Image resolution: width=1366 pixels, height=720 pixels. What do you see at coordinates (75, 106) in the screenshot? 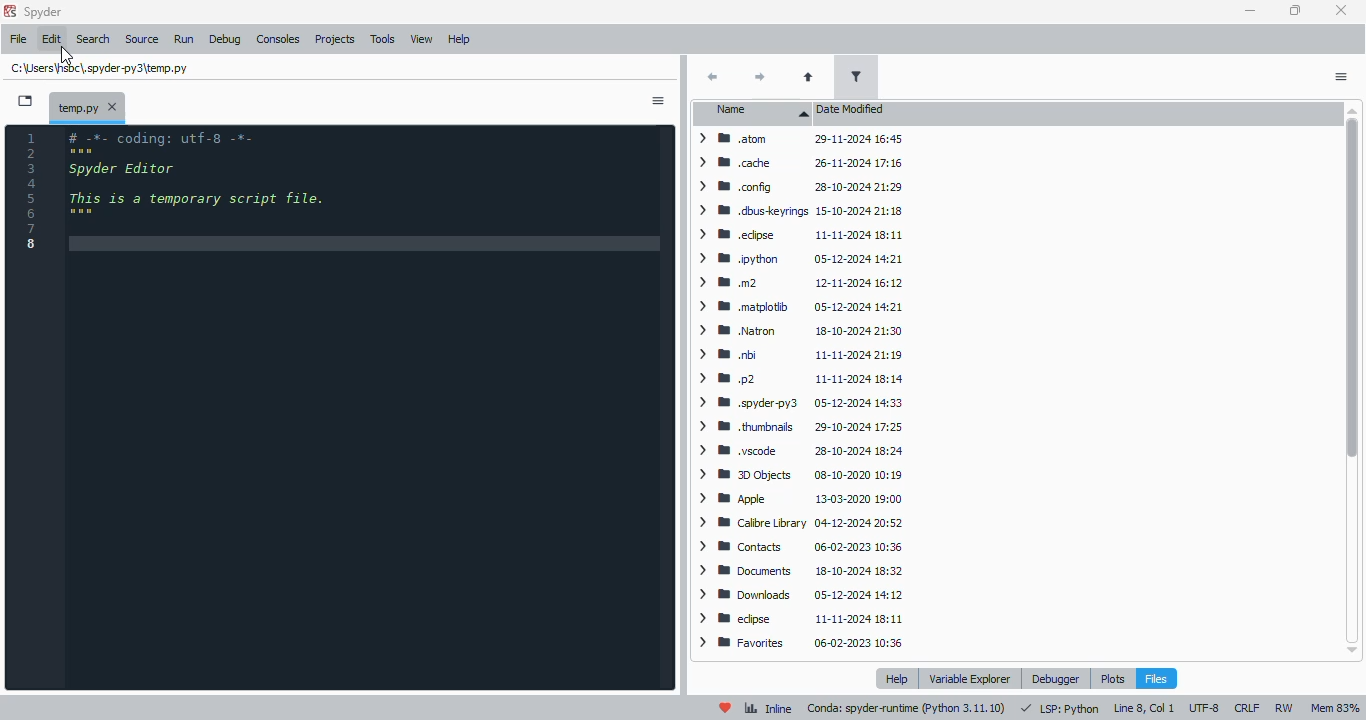
I see `temporary file` at bounding box center [75, 106].